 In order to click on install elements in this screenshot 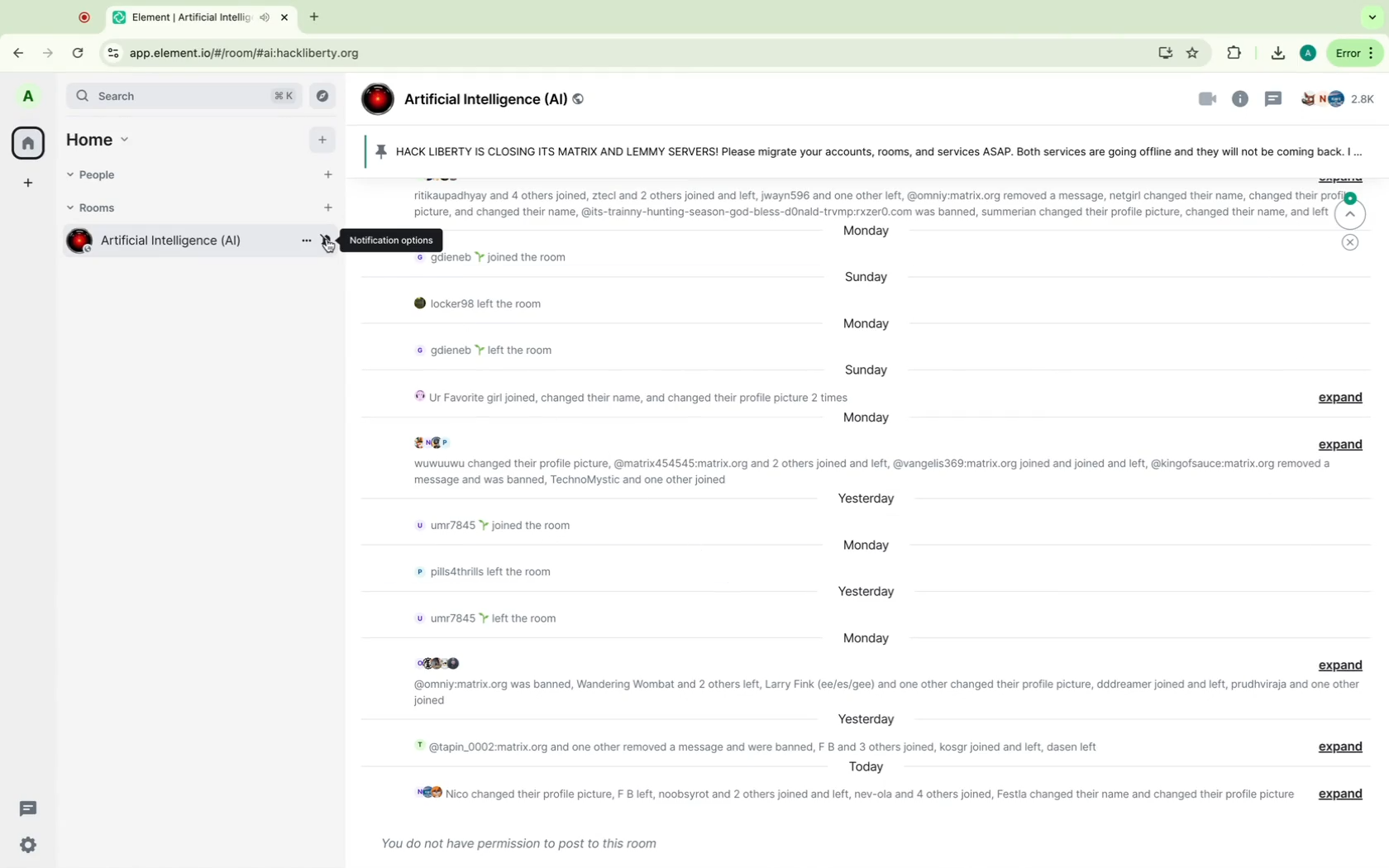, I will do `click(1163, 53)`.